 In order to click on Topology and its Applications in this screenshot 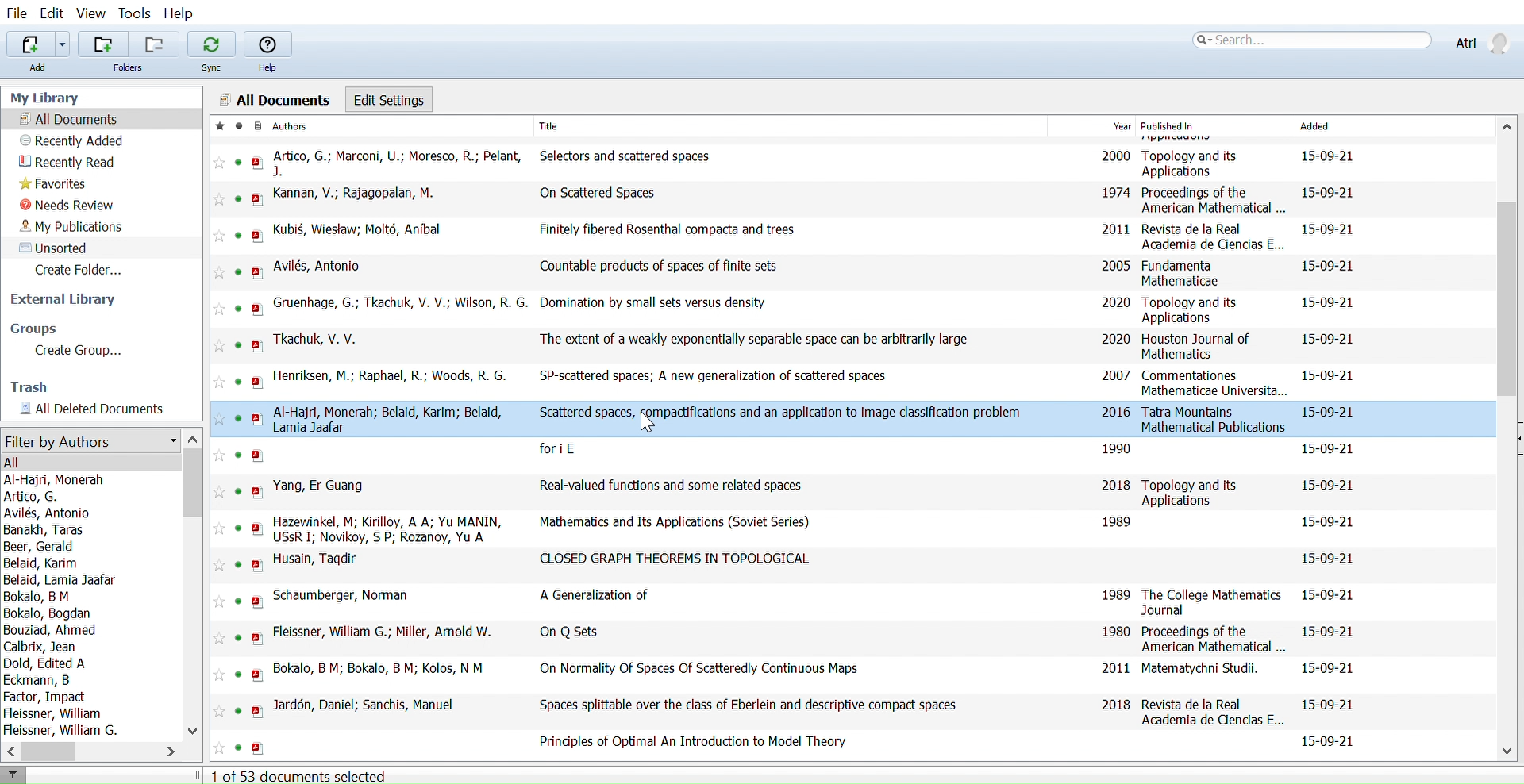, I will do `click(1187, 311)`.